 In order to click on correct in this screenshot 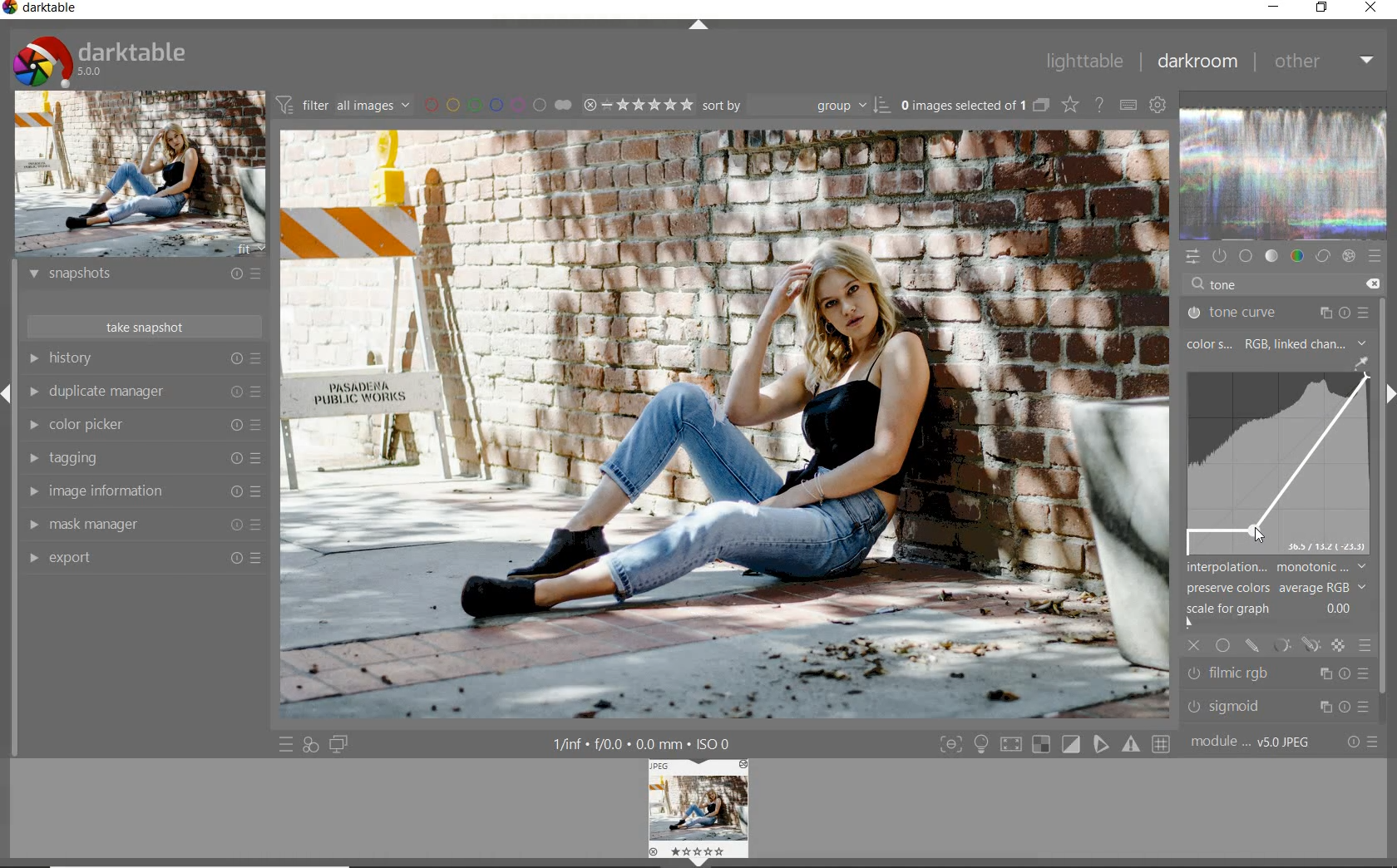, I will do `click(1322, 257)`.